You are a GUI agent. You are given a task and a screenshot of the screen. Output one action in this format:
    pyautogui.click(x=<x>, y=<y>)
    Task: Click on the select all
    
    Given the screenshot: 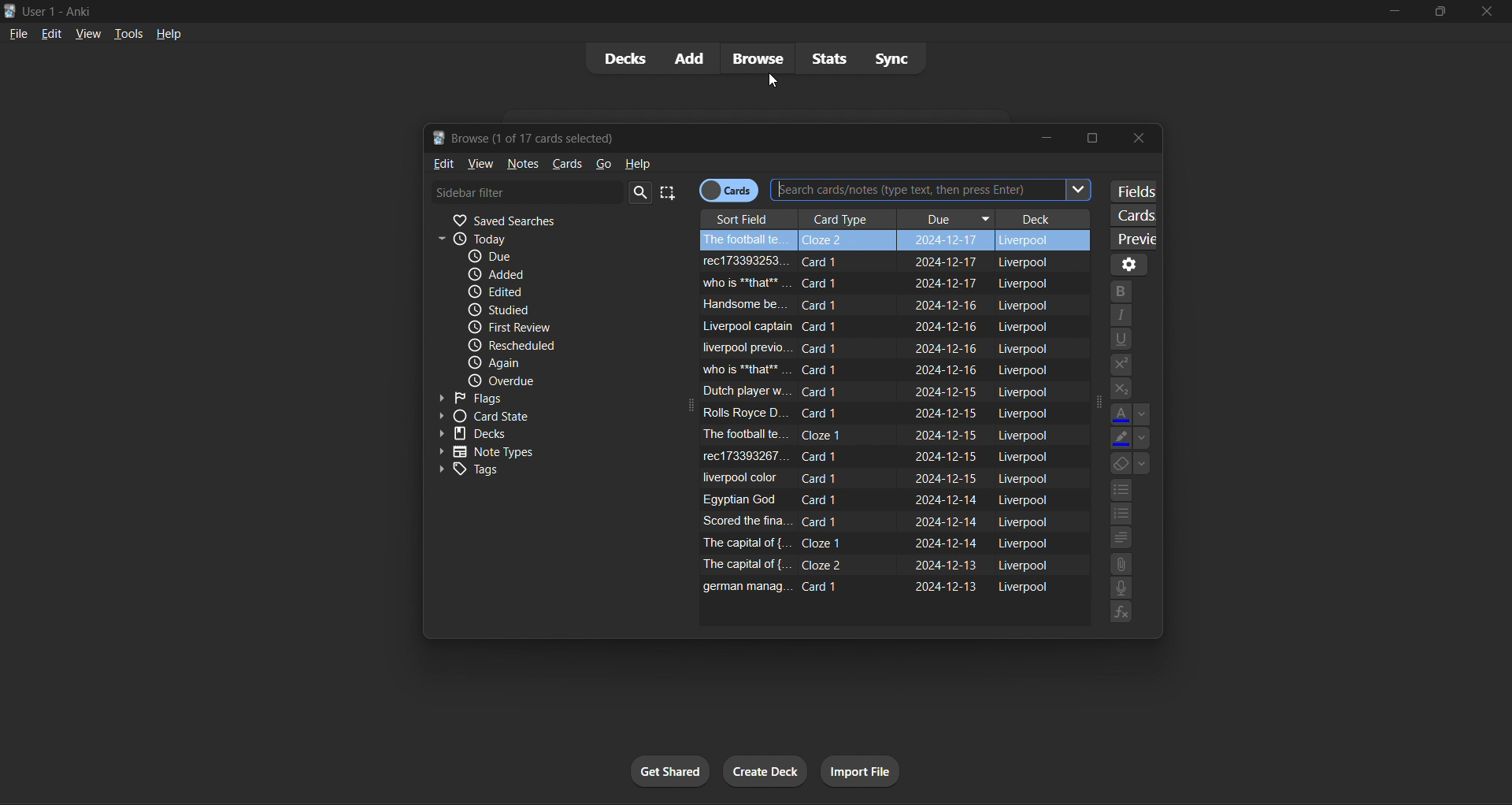 What is the action you would take?
    pyautogui.click(x=672, y=191)
    